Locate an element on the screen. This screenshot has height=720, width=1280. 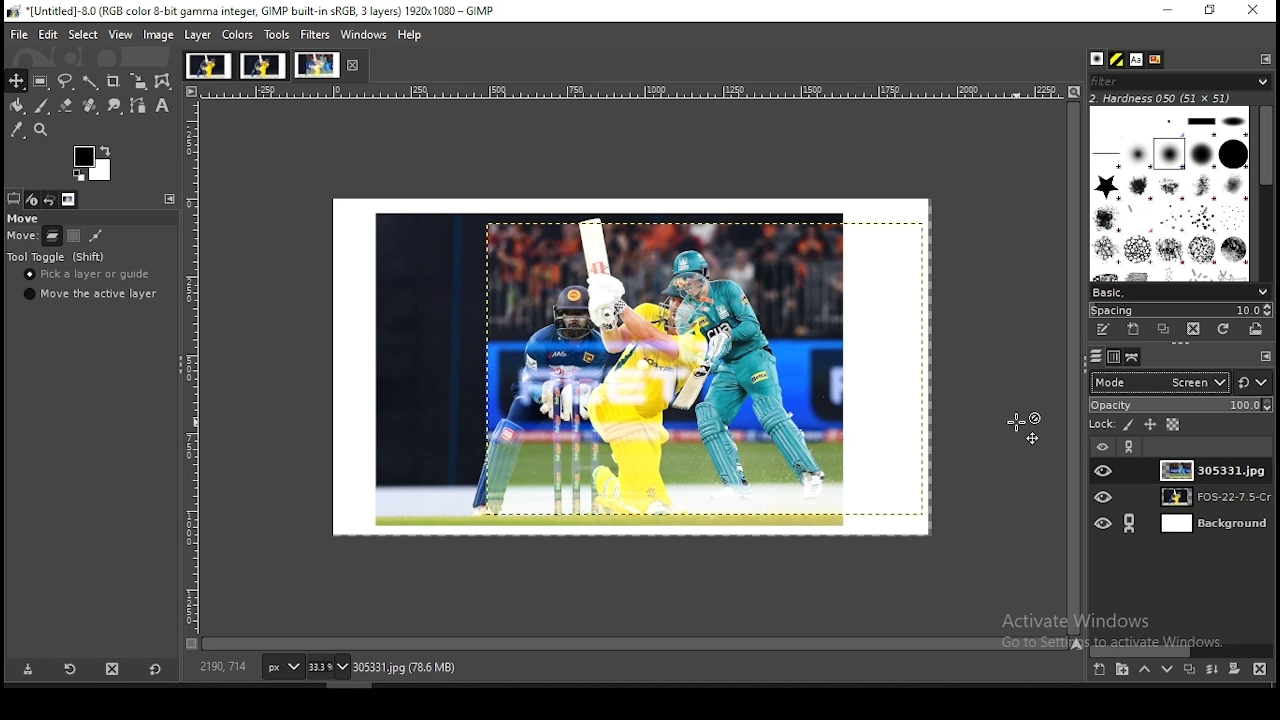
new layer group is located at coordinates (1122, 669).